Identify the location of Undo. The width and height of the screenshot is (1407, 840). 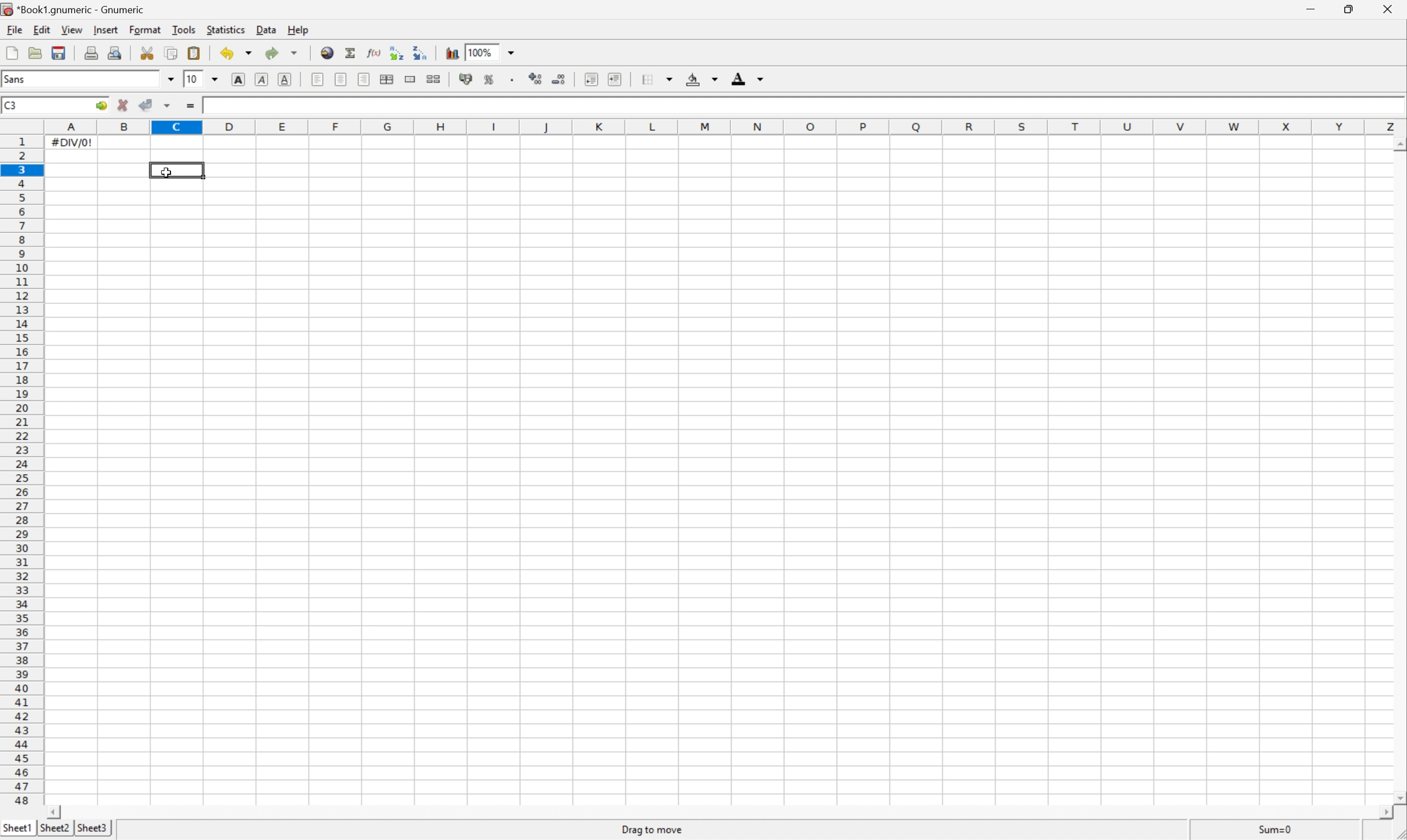
(226, 54).